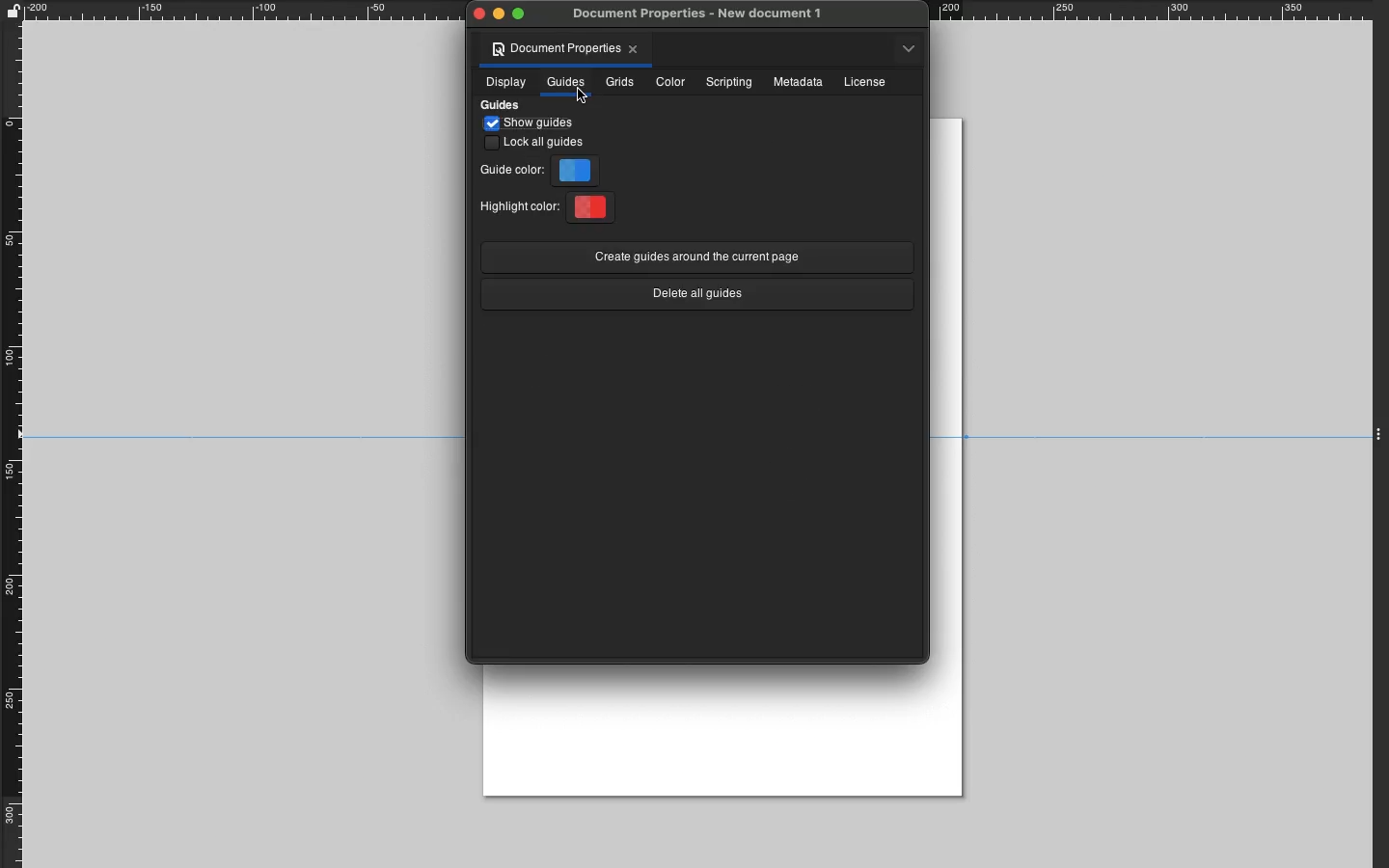 This screenshot has width=1389, height=868. What do you see at coordinates (477, 14) in the screenshot?
I see `Close` at bounding box center [477, 14].